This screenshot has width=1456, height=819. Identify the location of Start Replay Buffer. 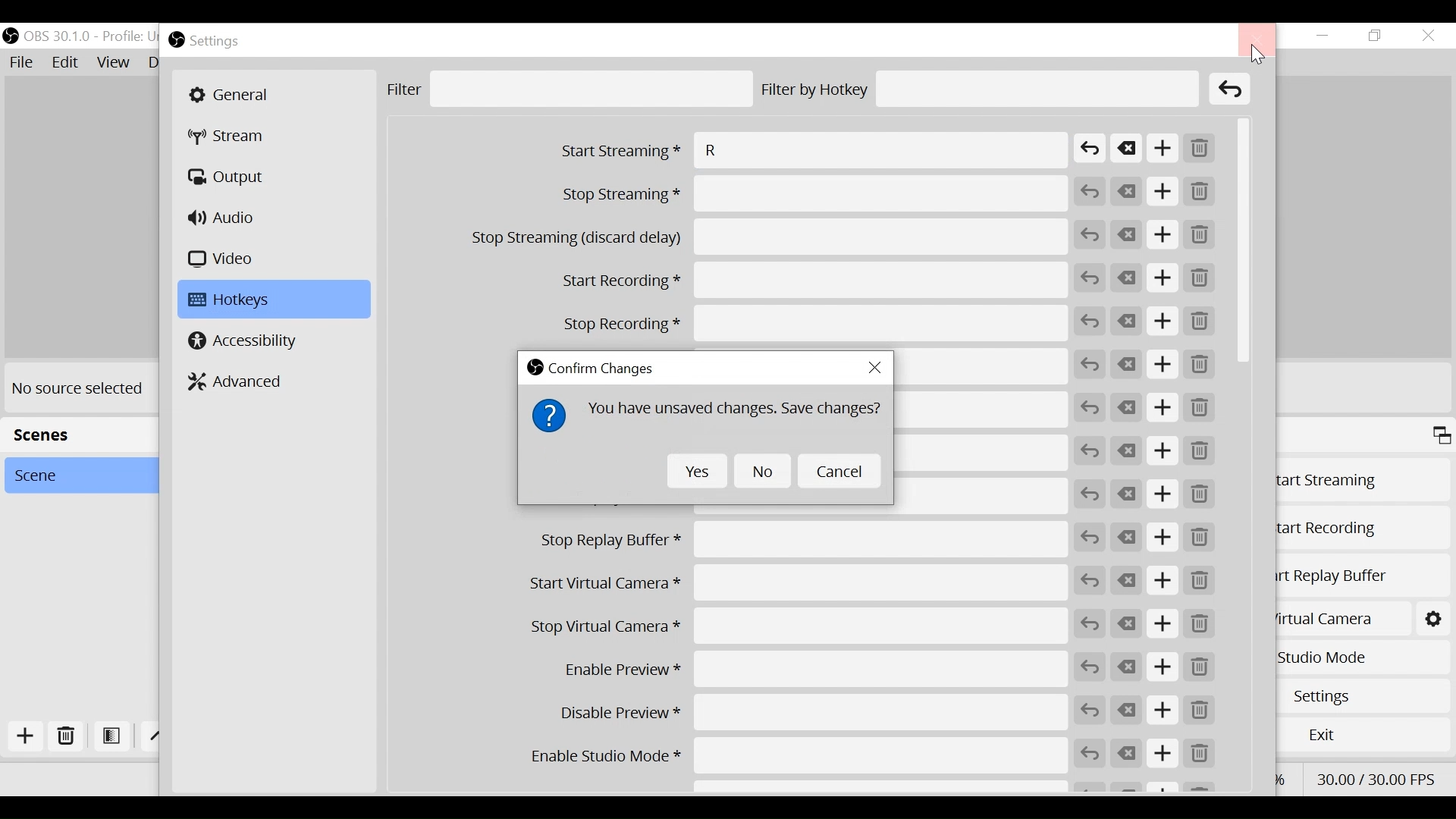
(1357, 579).